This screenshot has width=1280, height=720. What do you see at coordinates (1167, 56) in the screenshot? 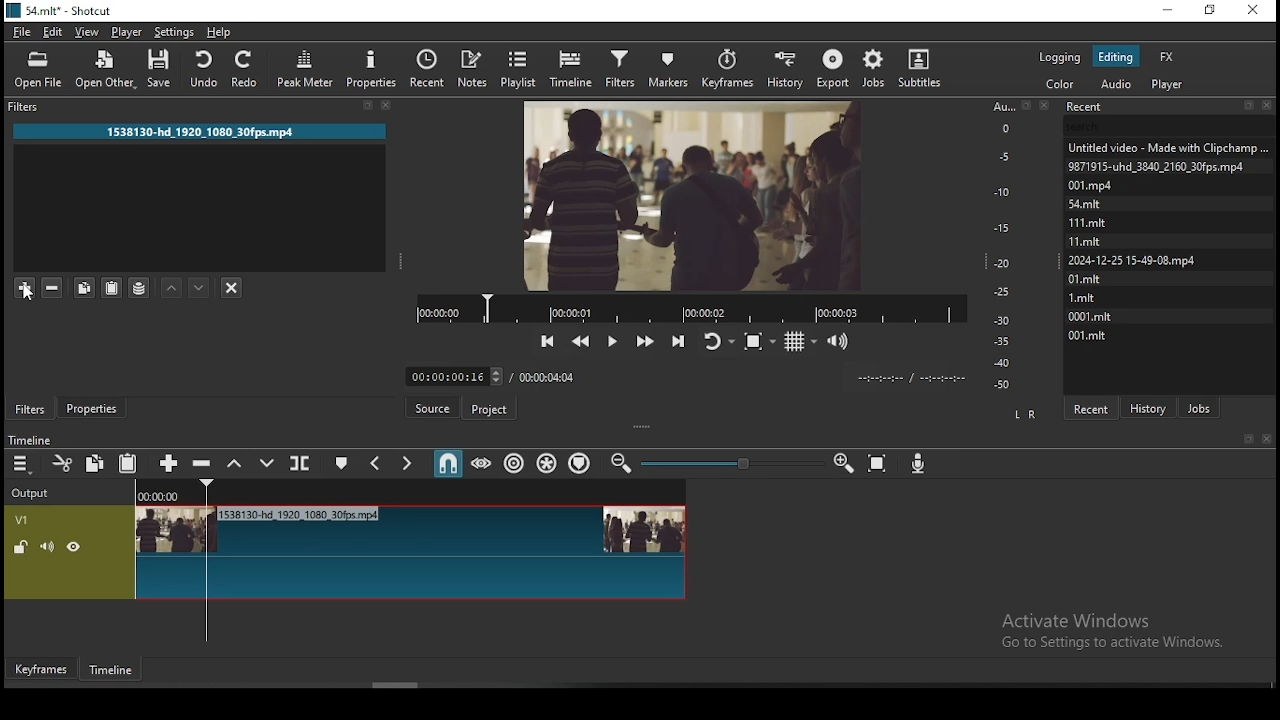
I see `fx` at bounding box center [1167, 56].